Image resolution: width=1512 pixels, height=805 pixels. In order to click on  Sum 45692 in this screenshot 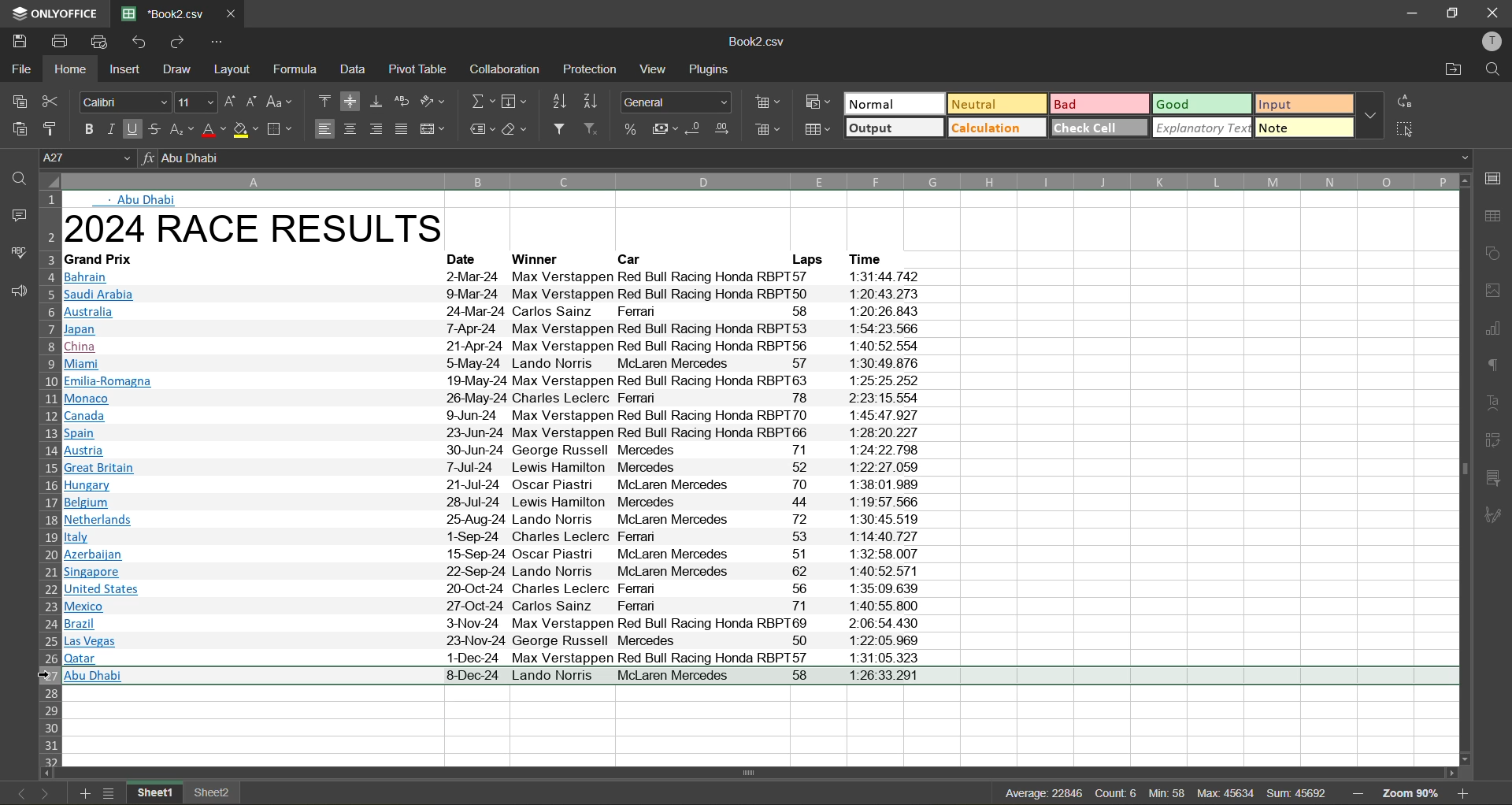, I will do `click(1299, 791)`.